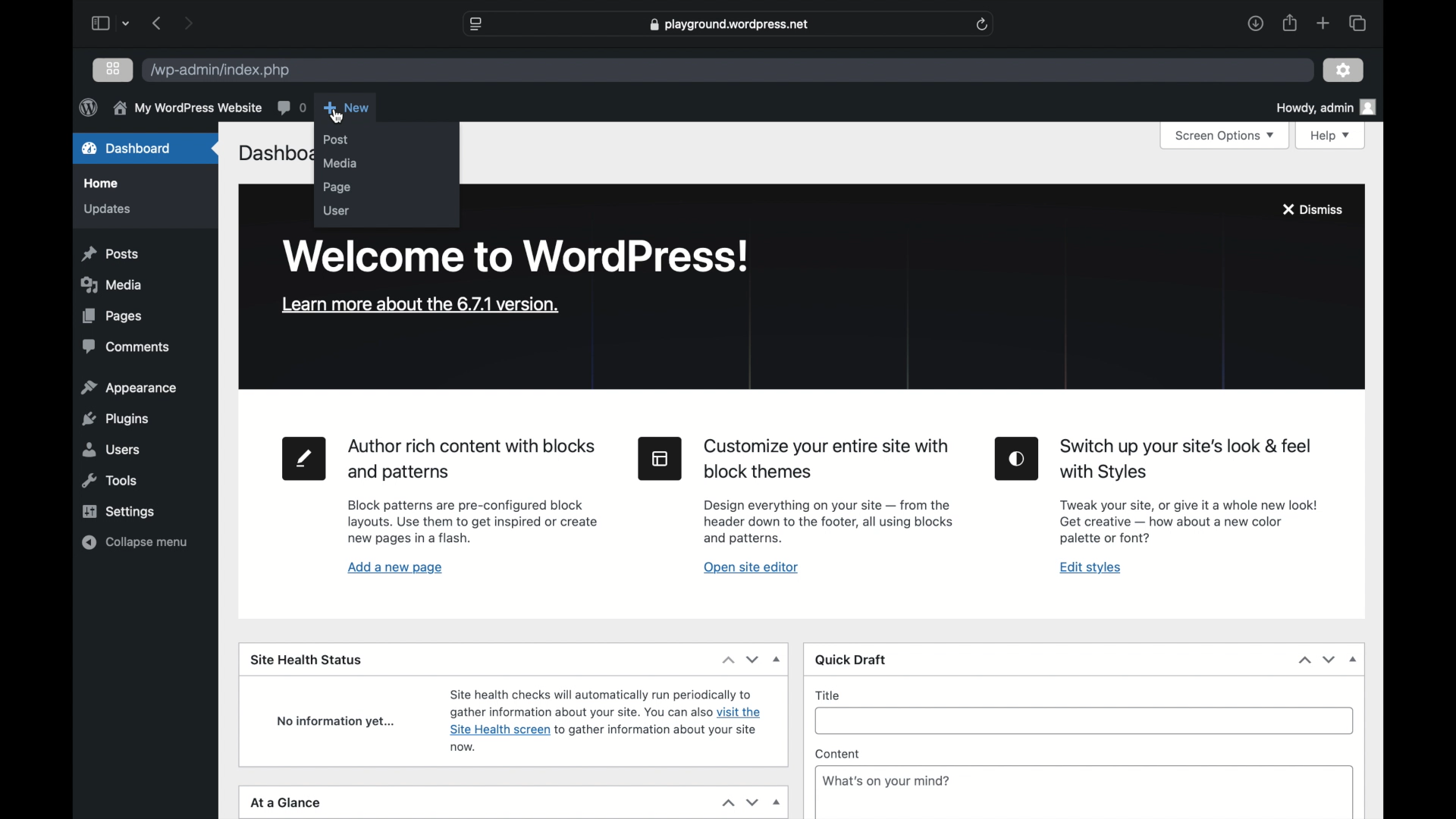  I want to click on dropdown, so click(777, 802).